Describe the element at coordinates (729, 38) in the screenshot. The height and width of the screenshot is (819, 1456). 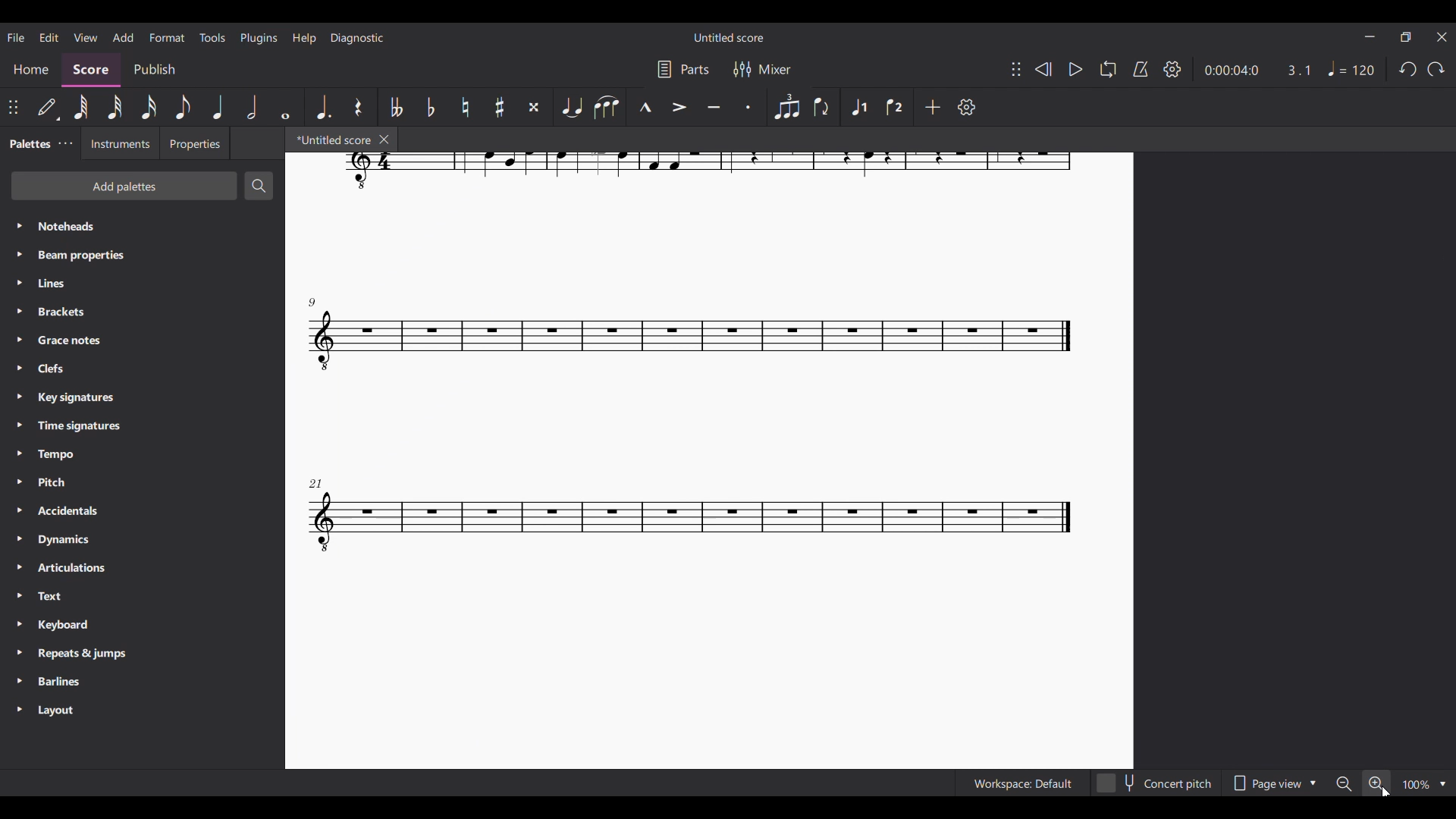
I see `Untitled score` at that location.